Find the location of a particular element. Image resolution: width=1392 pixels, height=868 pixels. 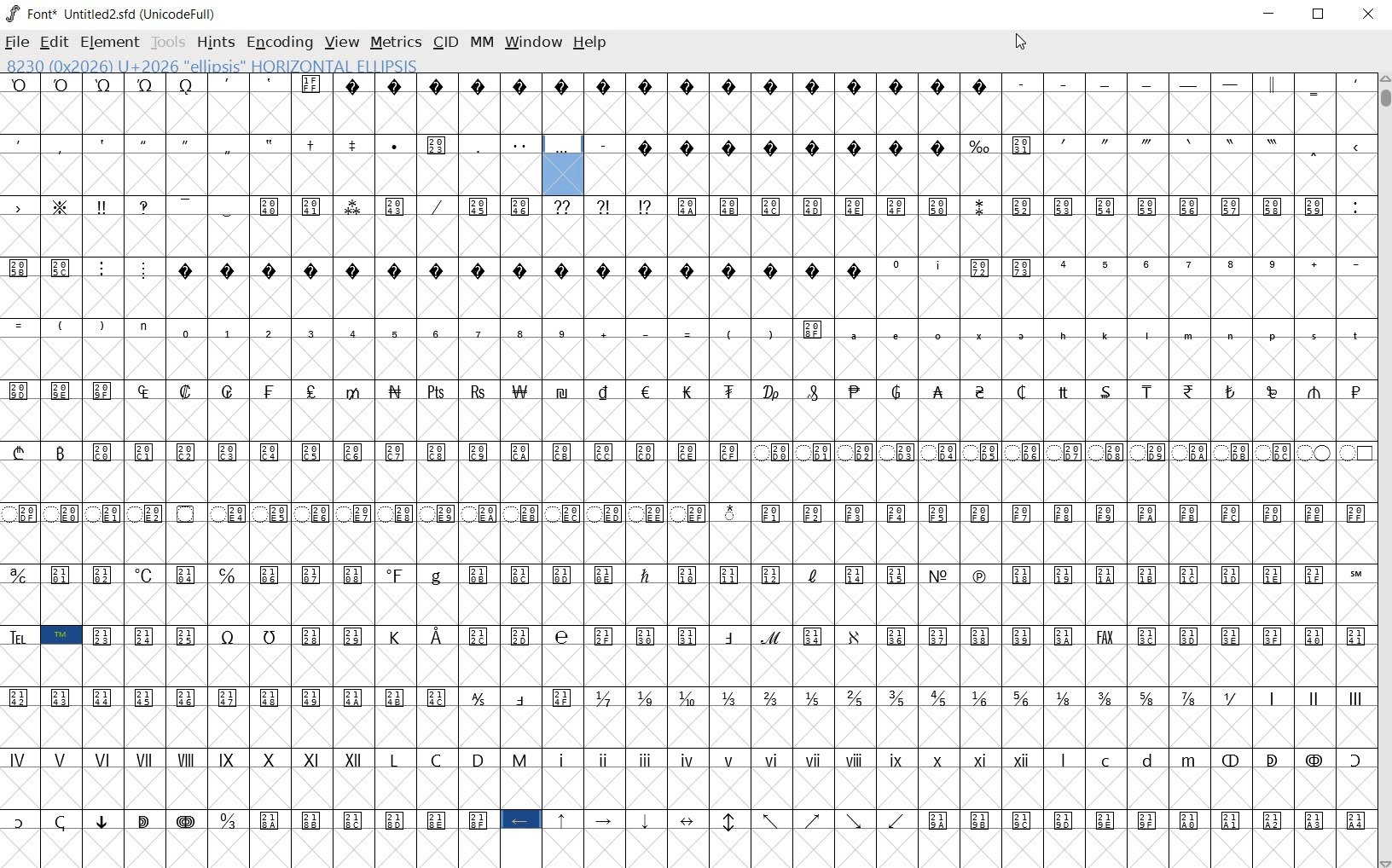

EDIT is located at coordinates (56, 42).